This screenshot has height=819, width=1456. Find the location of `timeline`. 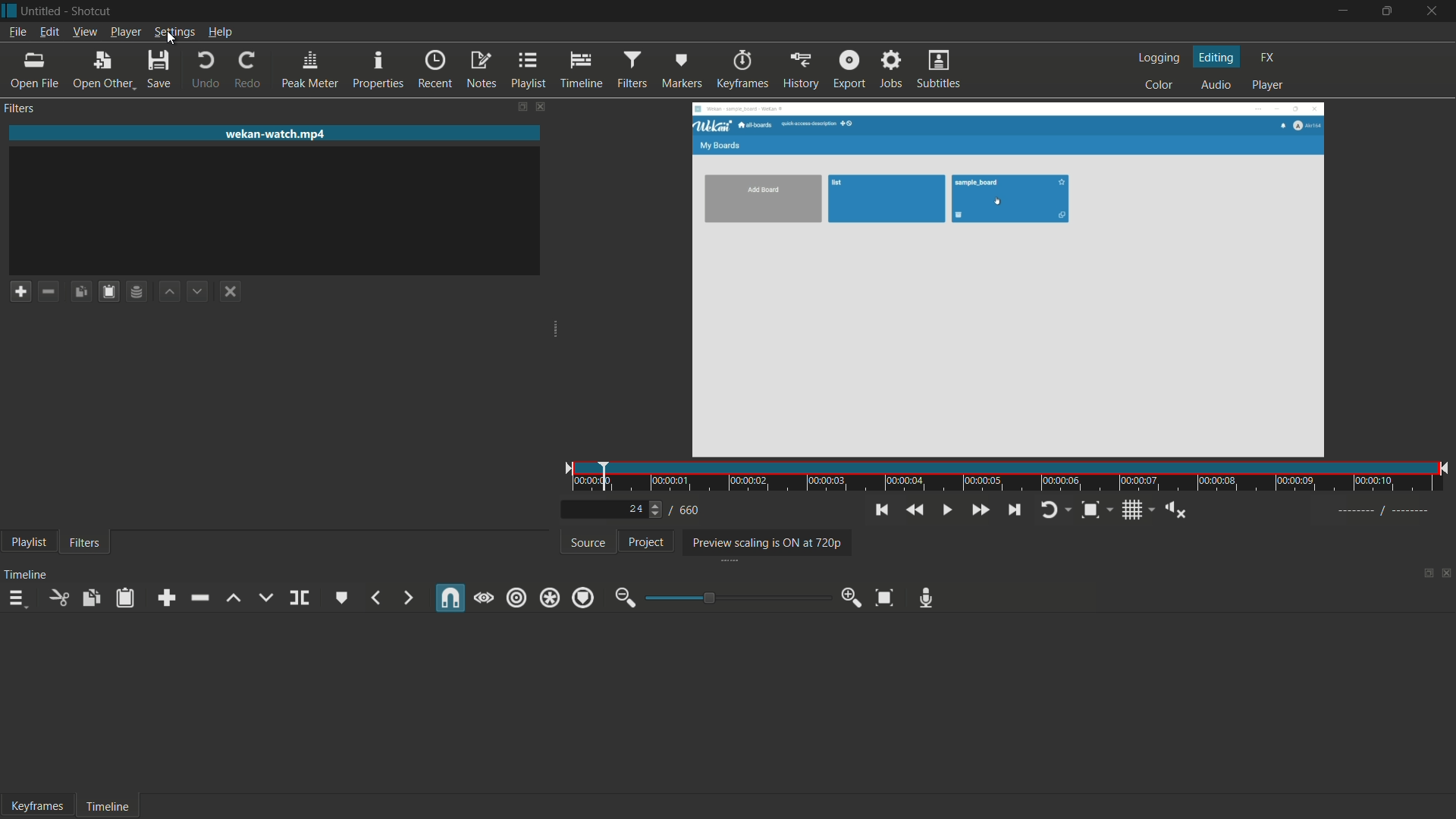

timeline is located at coordinates (108, 808).